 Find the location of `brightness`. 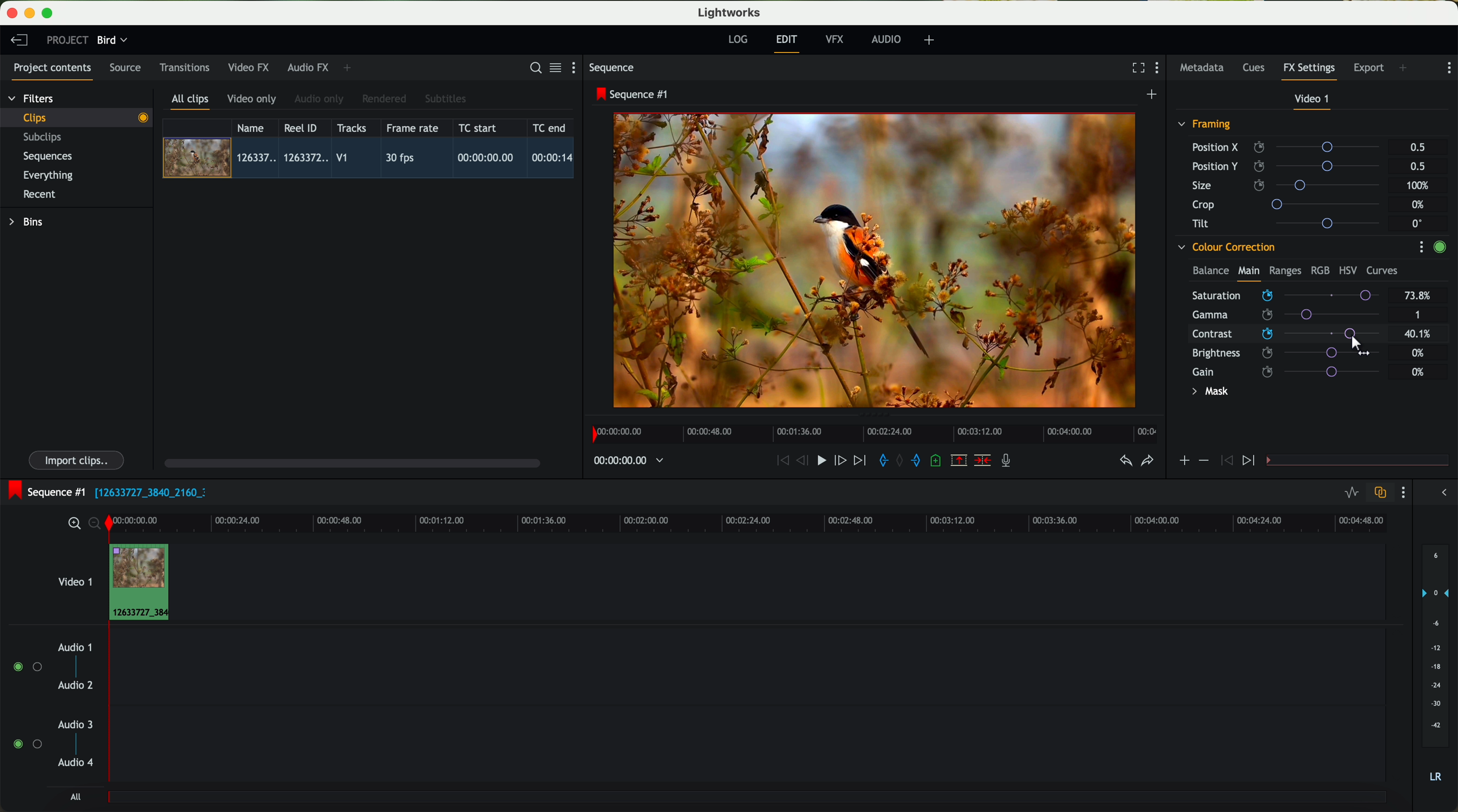

brightness is located at coordinates (1293, 353).